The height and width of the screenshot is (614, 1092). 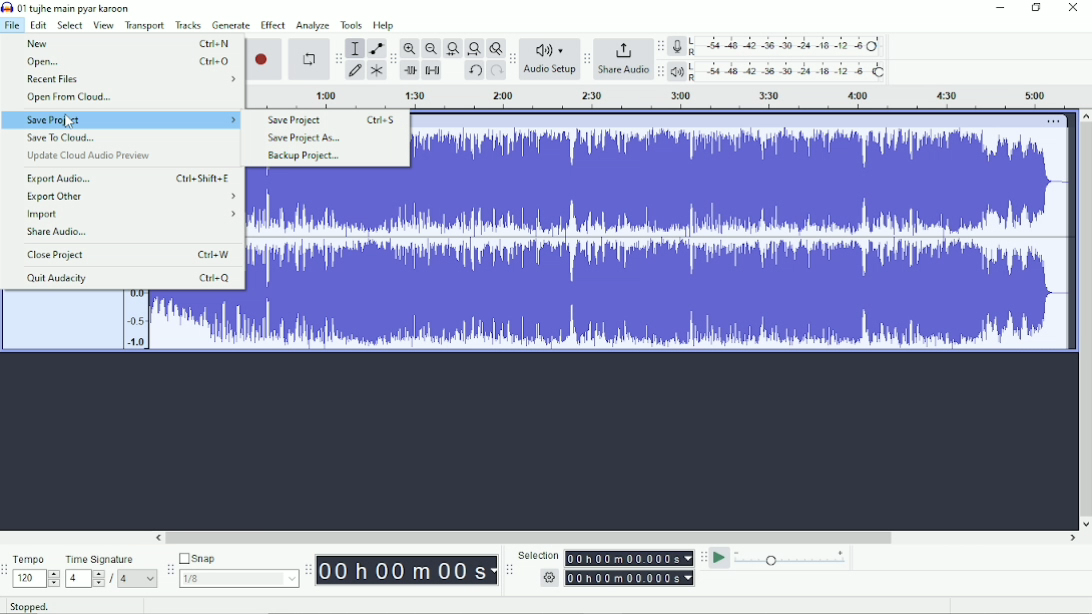 What do you see at coordinates (1001, 9) in the screenshot?
I see `Minimize` at bounding box center [1001, 9].